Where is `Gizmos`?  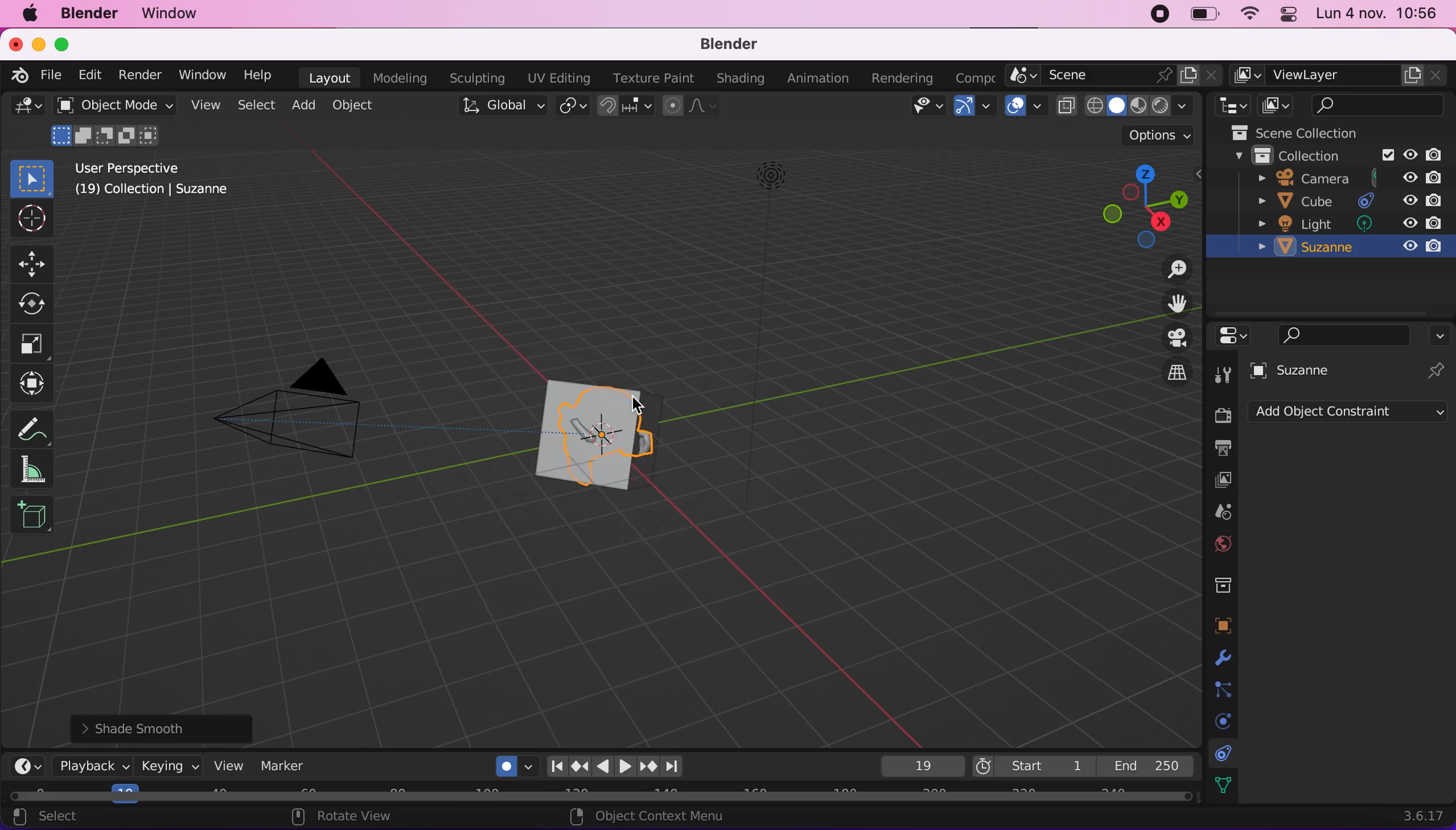 Gizmos is located at coordinates (988, 107).